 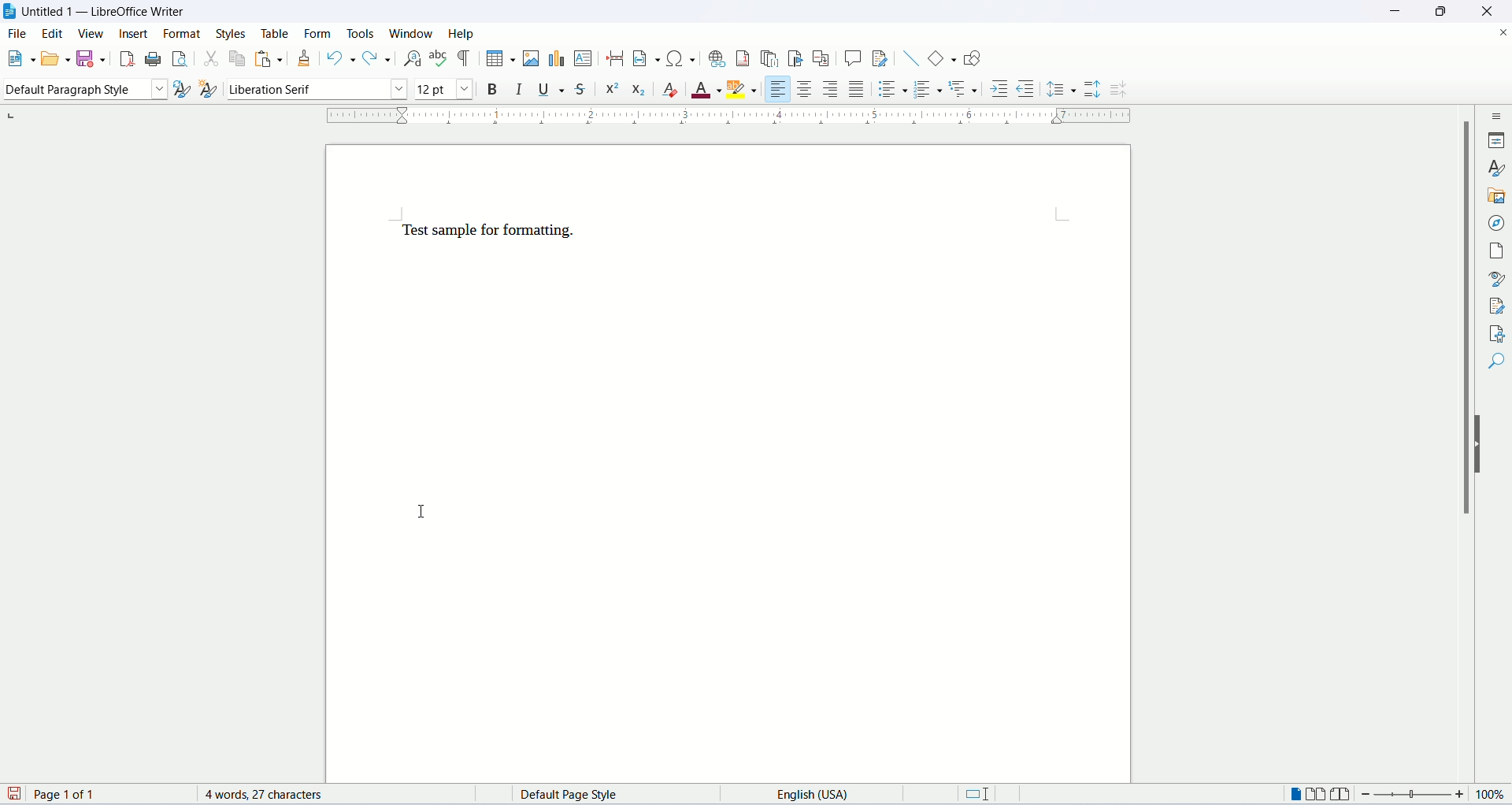 I want to click on maximize, so click(x=1440, y=11).